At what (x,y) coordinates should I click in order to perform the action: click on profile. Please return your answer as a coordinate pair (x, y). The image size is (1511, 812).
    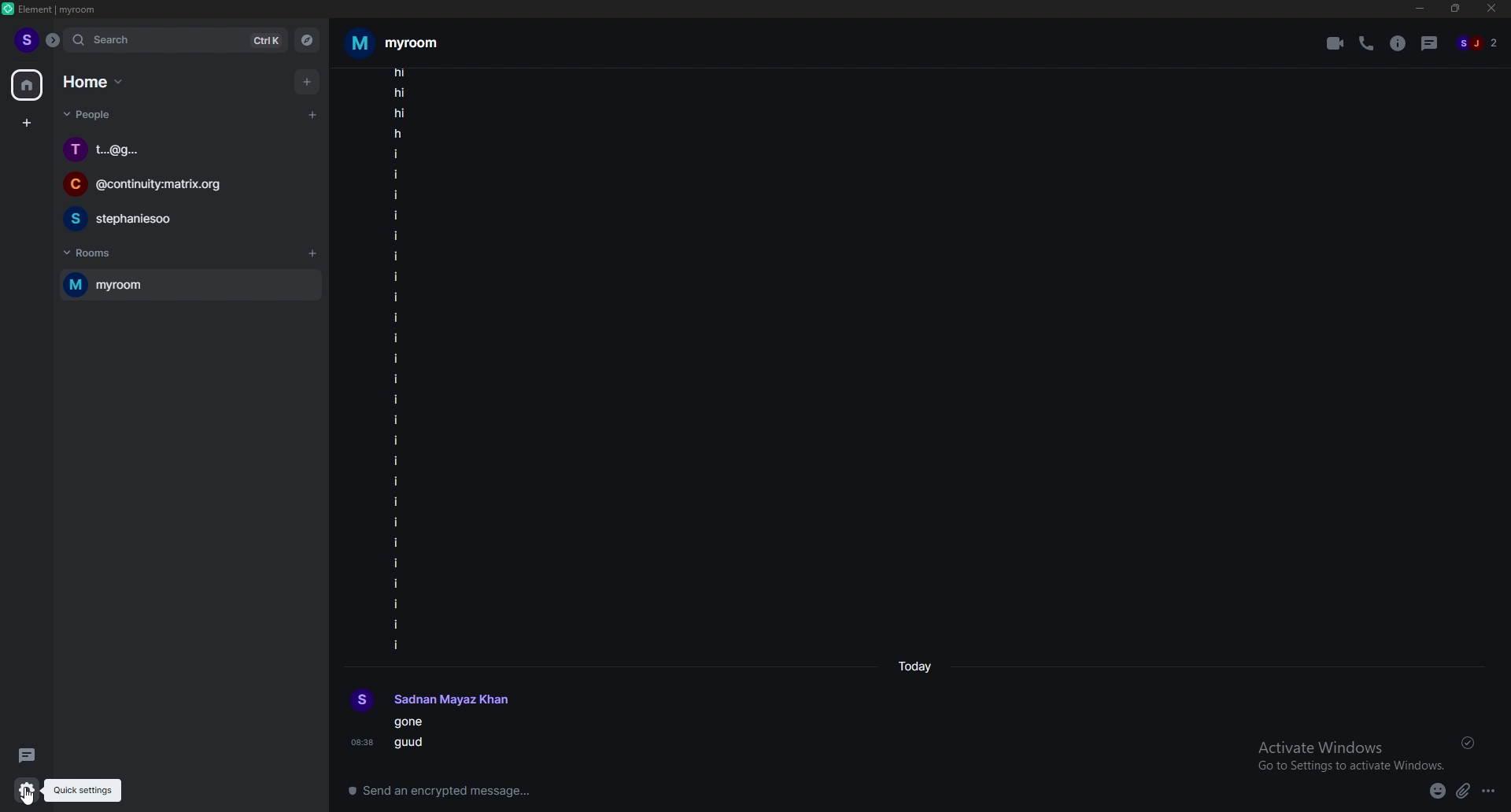
    Looking at the image, I should click on (25, 41).